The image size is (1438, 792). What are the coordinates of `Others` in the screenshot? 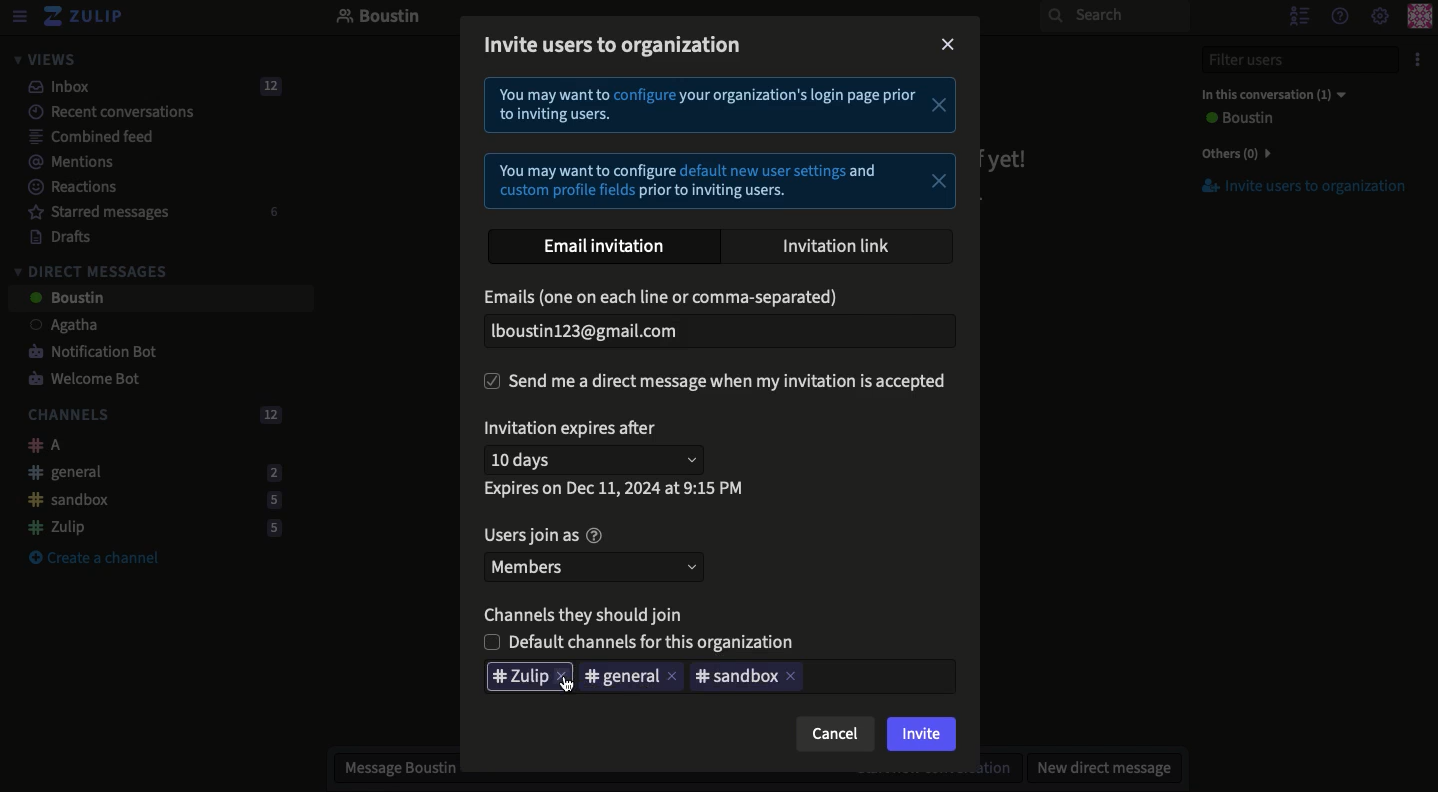 It's located at (1232, 153).